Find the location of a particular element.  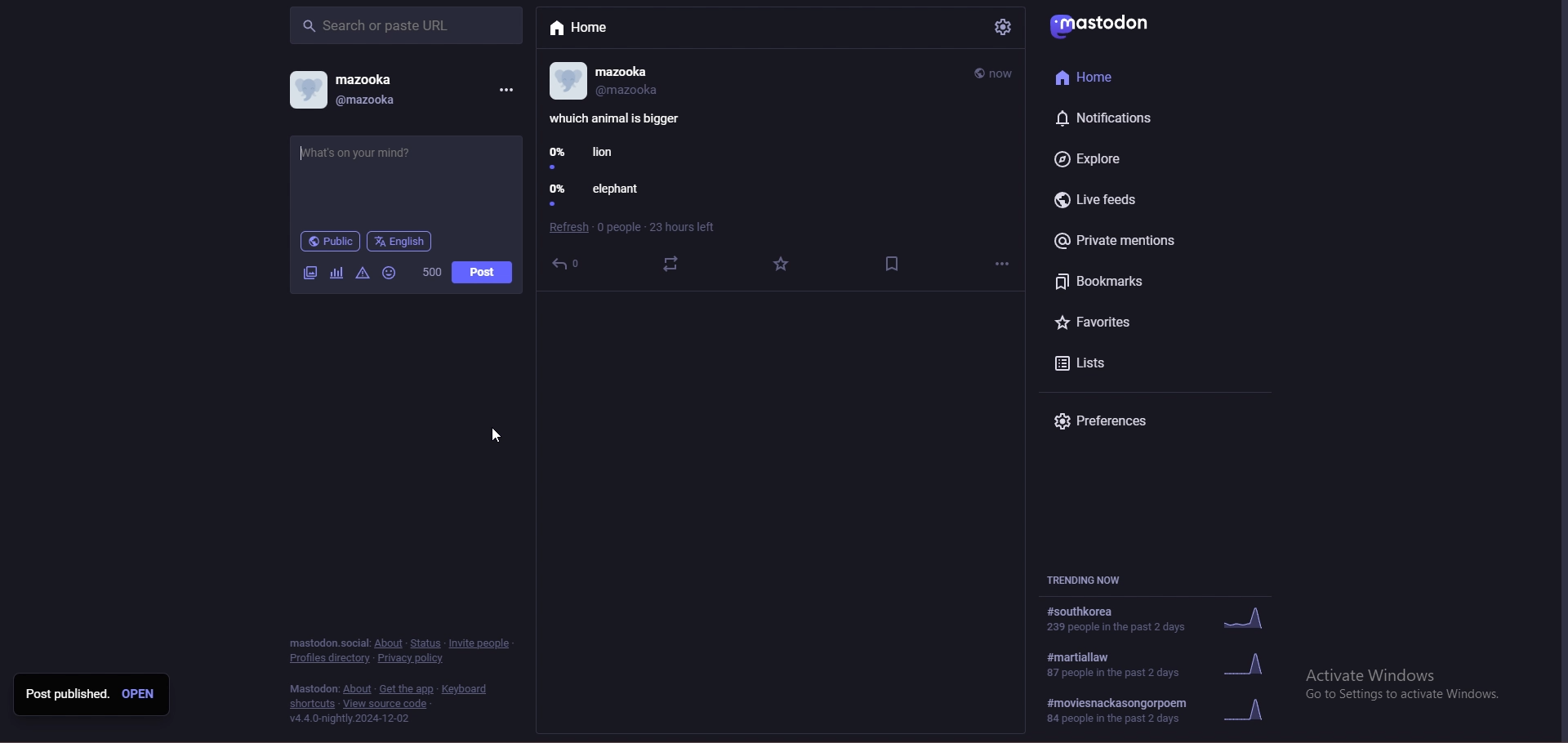

status is located at coordinates (426, 643).